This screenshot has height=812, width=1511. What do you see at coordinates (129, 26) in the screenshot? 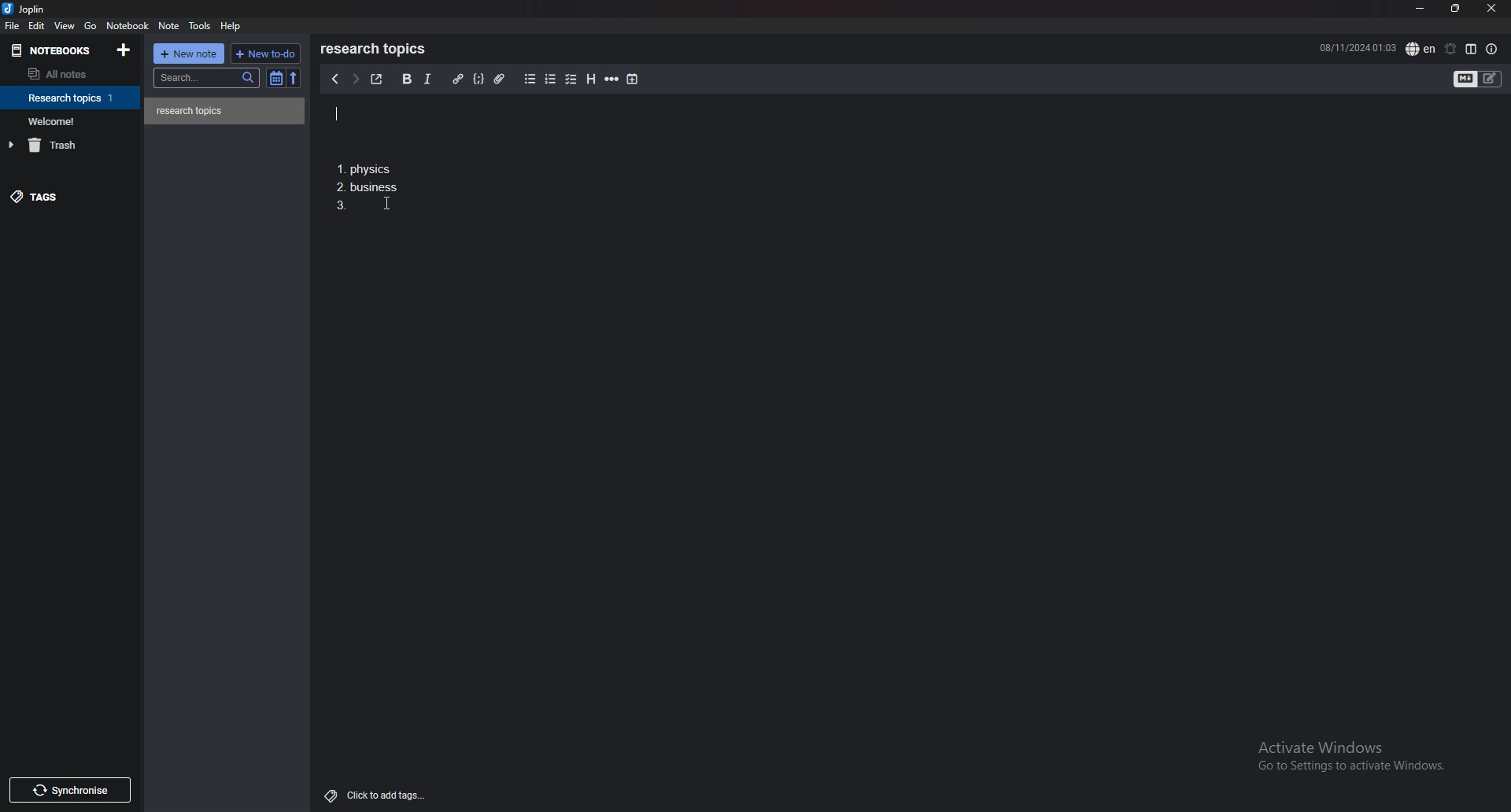
I see `notebook` at bounding box center [129, 26].